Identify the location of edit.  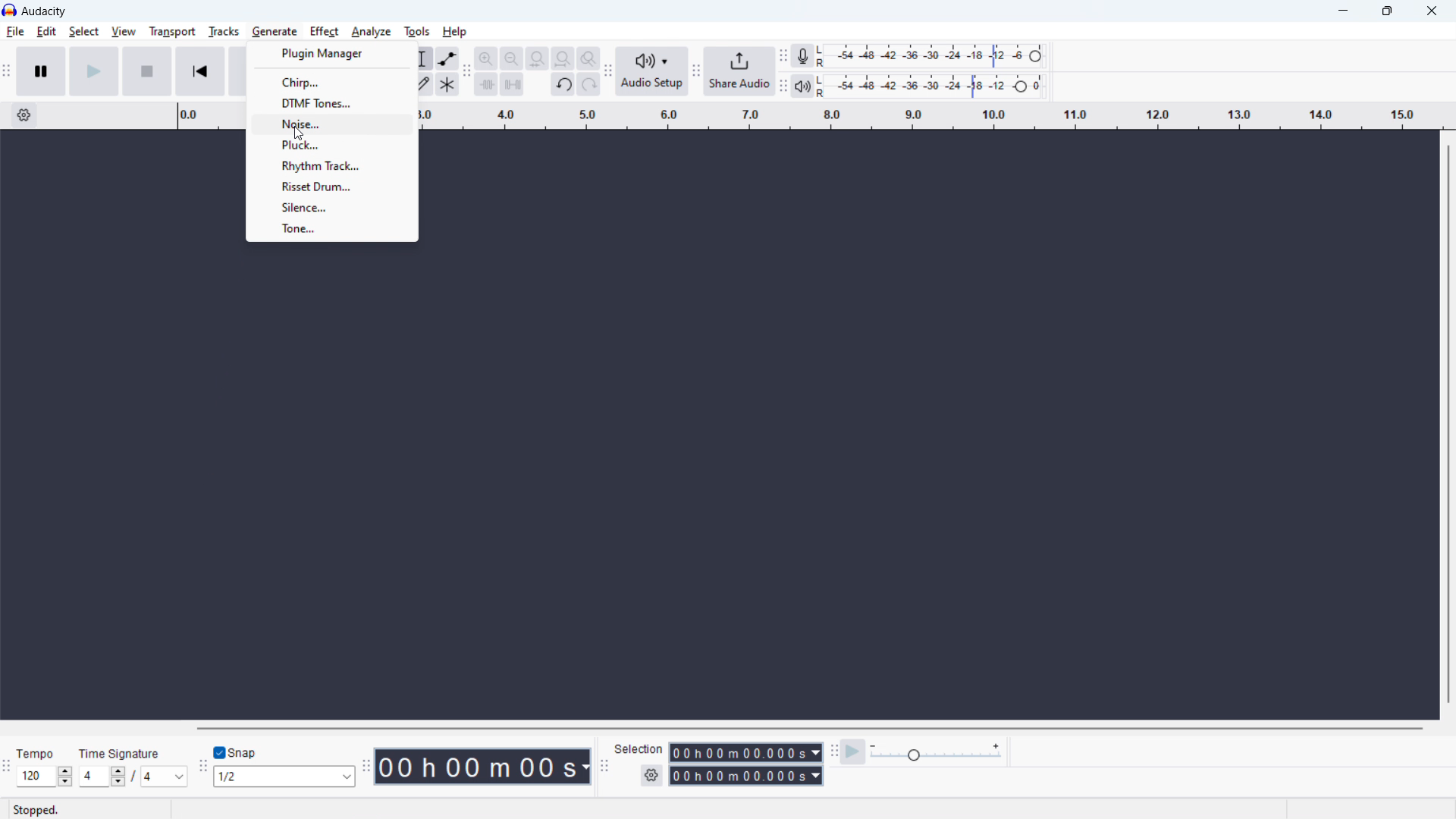
(46, 31).